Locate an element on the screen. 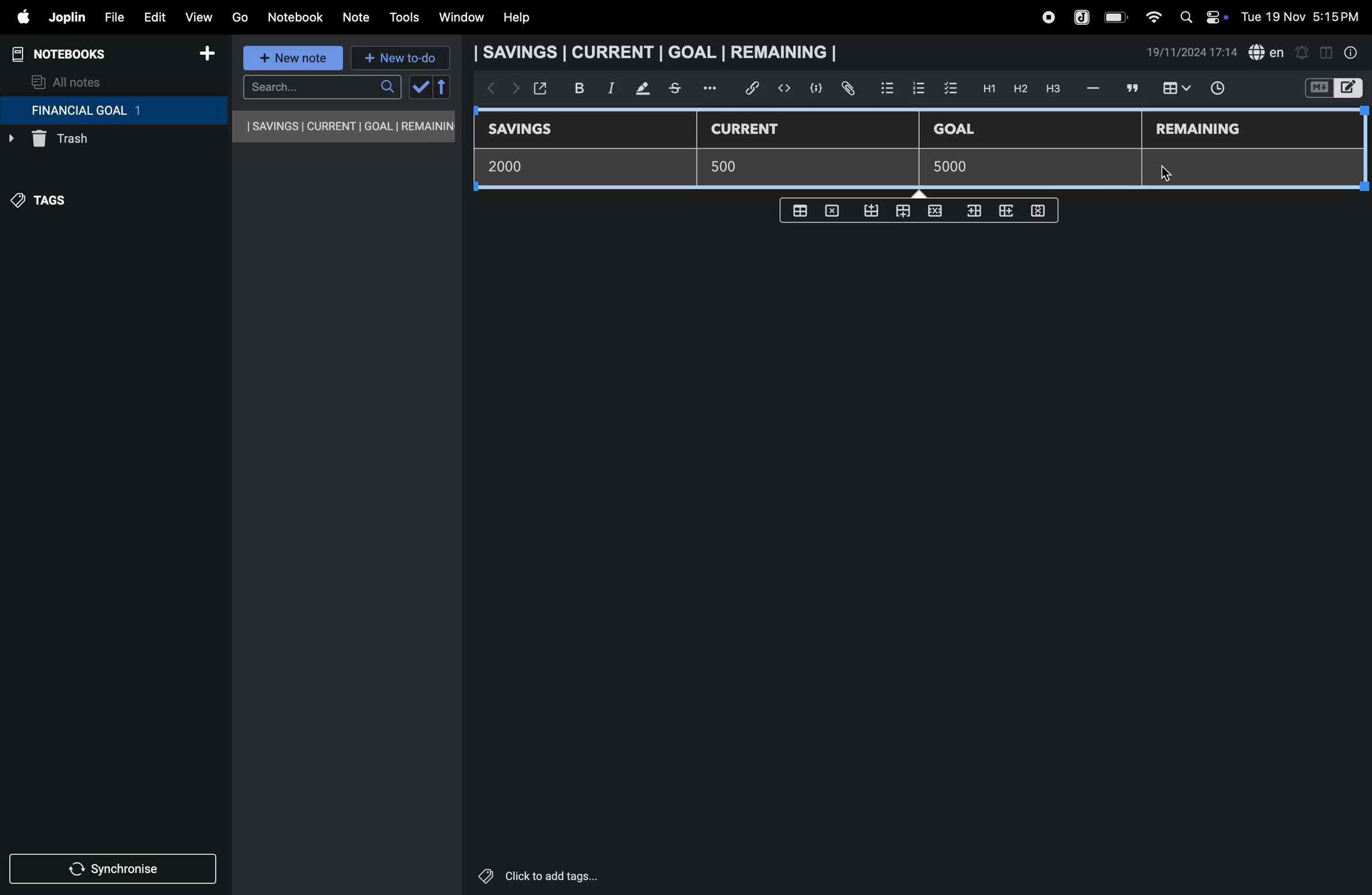  date and time is located at coordinates (1304, 16).